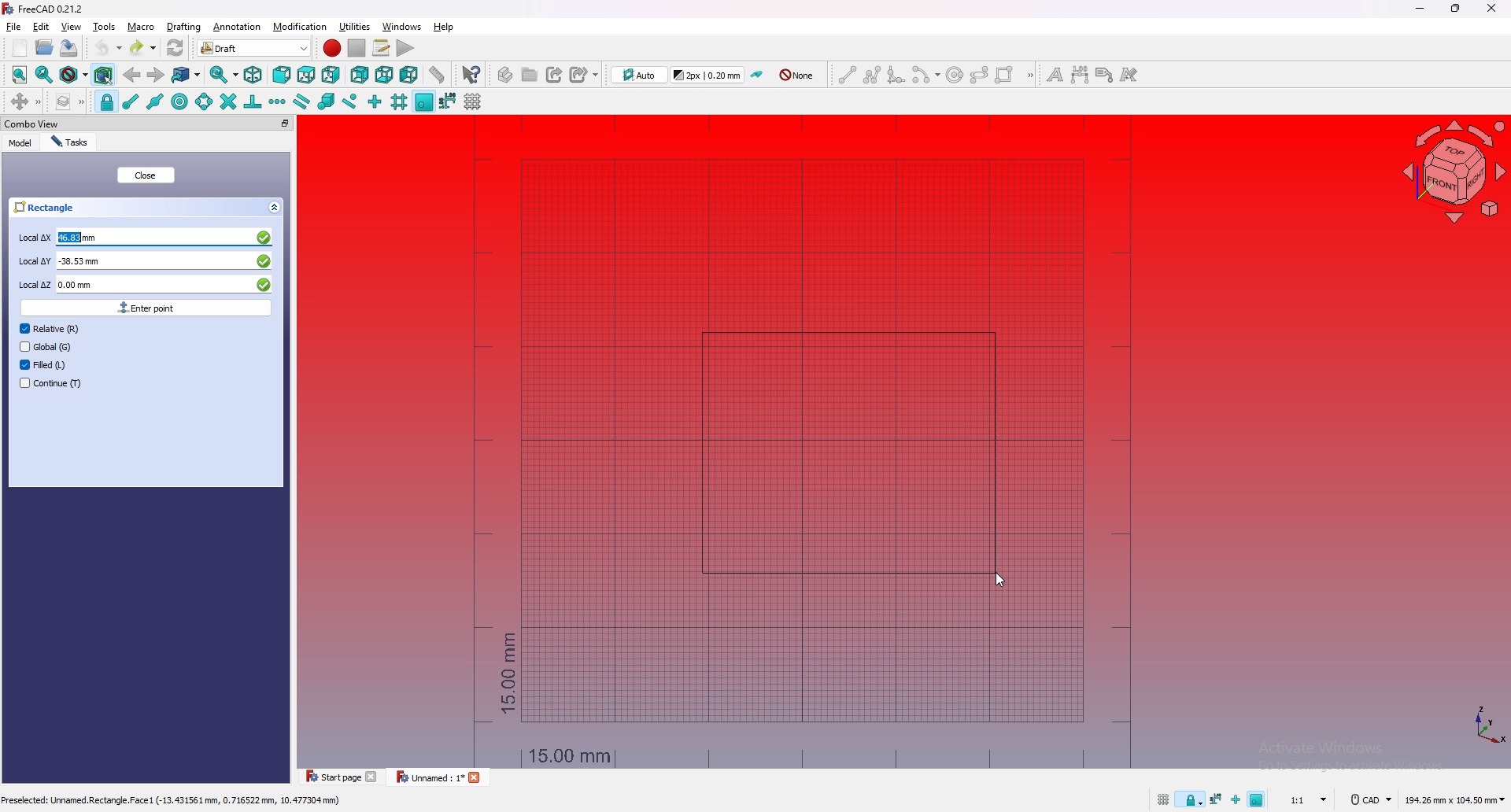  Describe the element at coordinates (155, 101) in the screenshot. I see `snap midpoint` at that location.